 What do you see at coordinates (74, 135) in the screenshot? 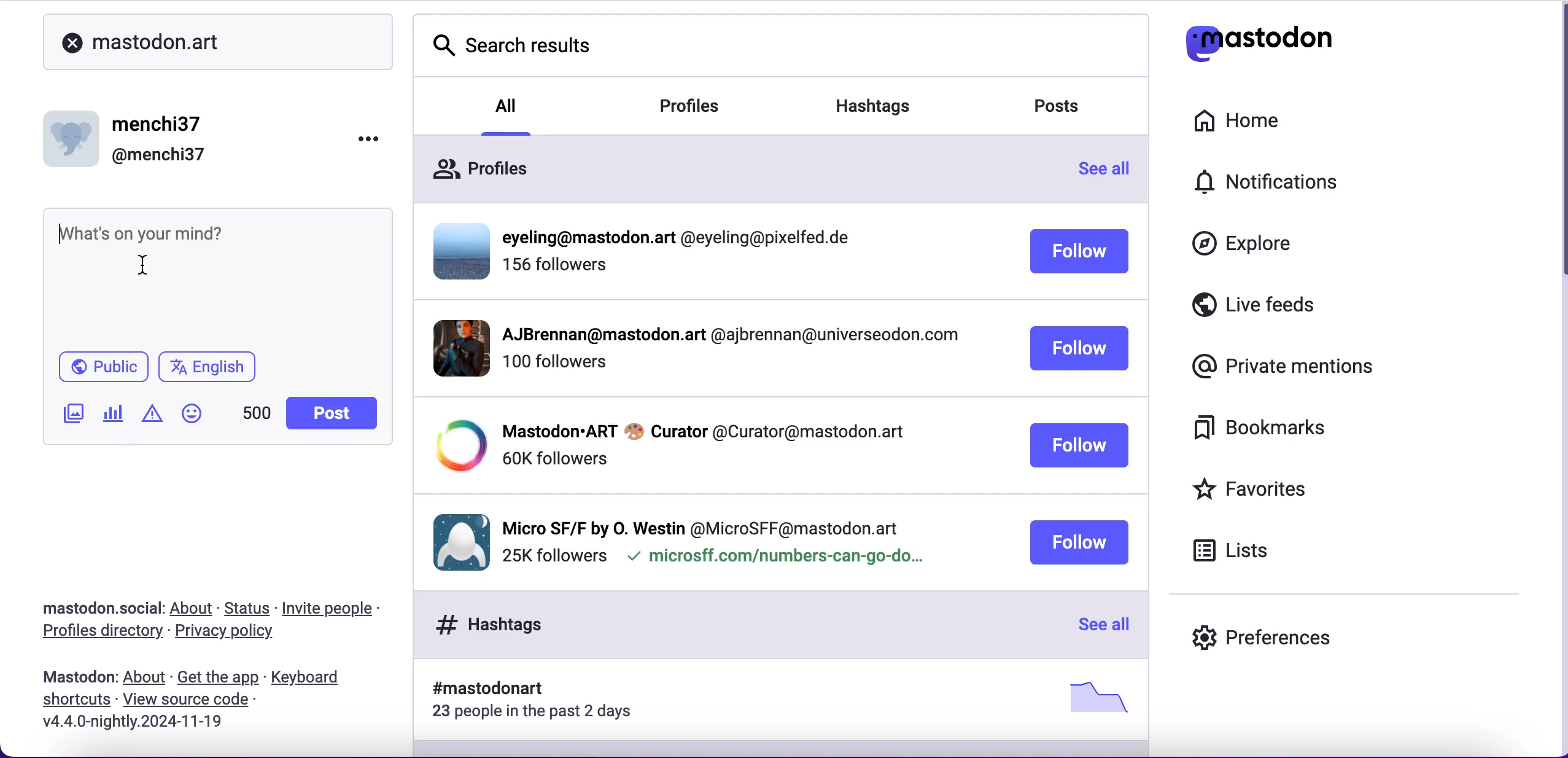
I see `display picture` at bounding box center [74, 135].